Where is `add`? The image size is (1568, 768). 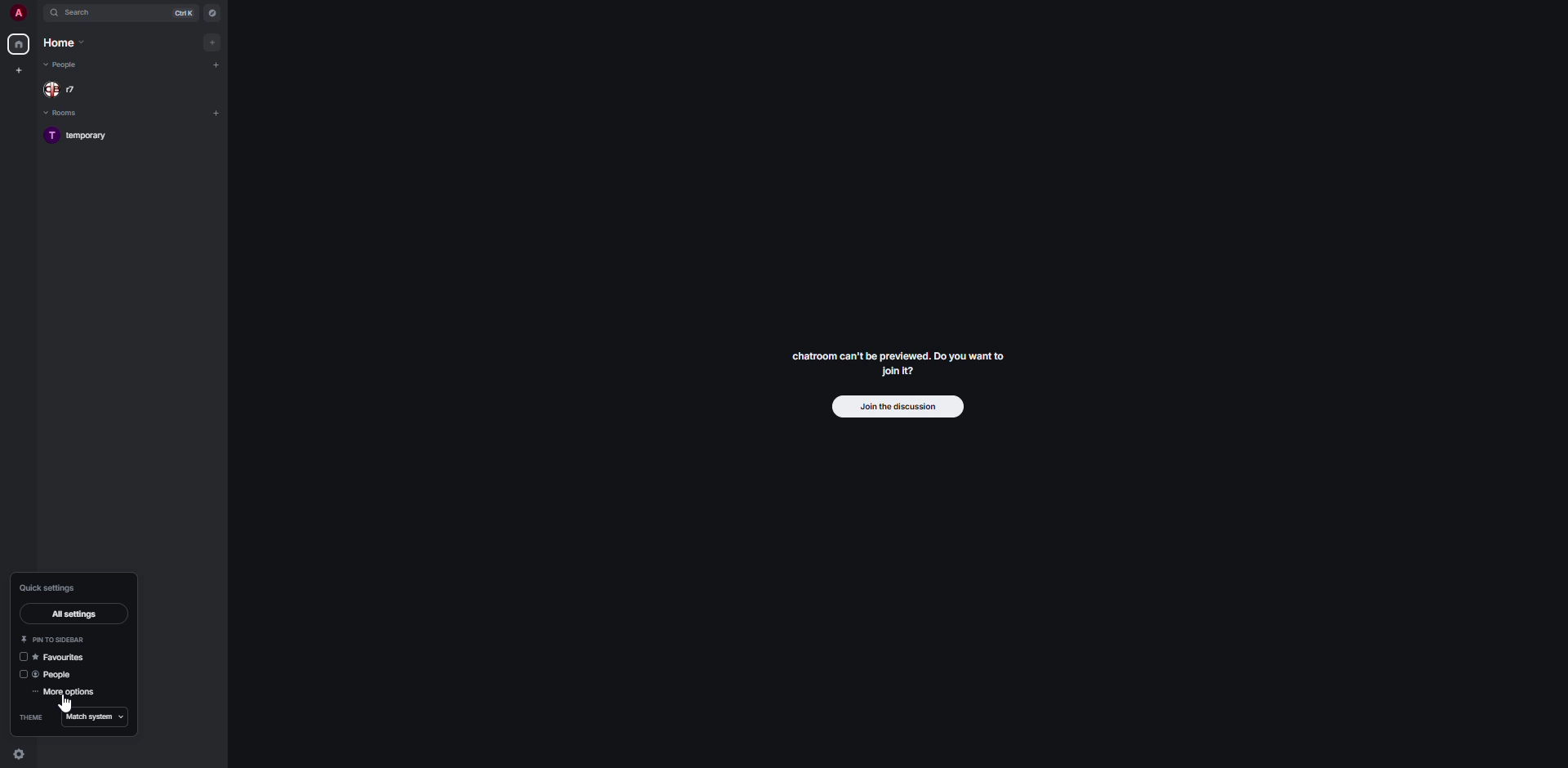 add is located at coordinates (217, 113).